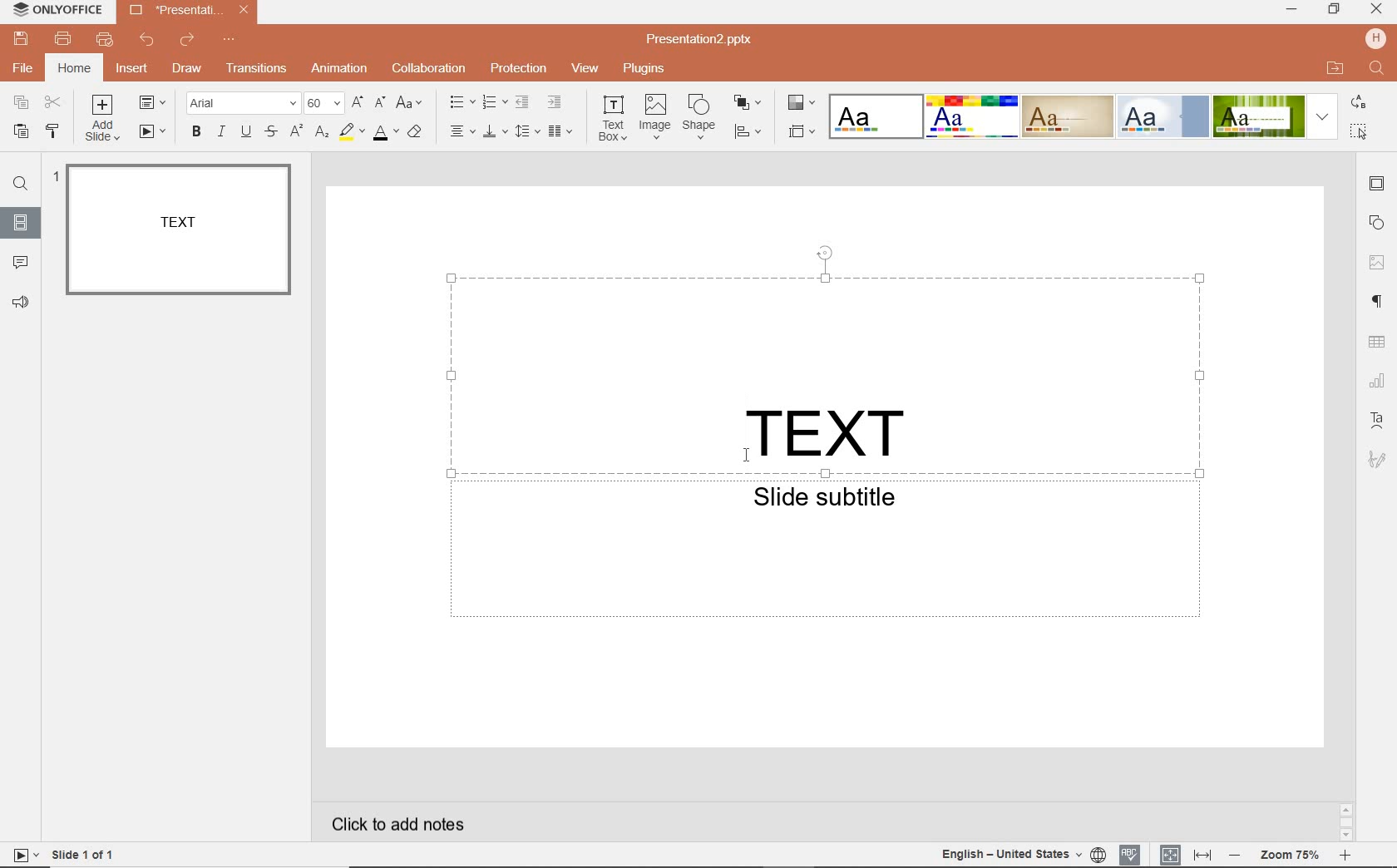 This screenshot has width=1397, height=868. Describe the element at coordinates (462, 132) in the screenshot. I see `HORIZONTAL ALIGN` at that location.